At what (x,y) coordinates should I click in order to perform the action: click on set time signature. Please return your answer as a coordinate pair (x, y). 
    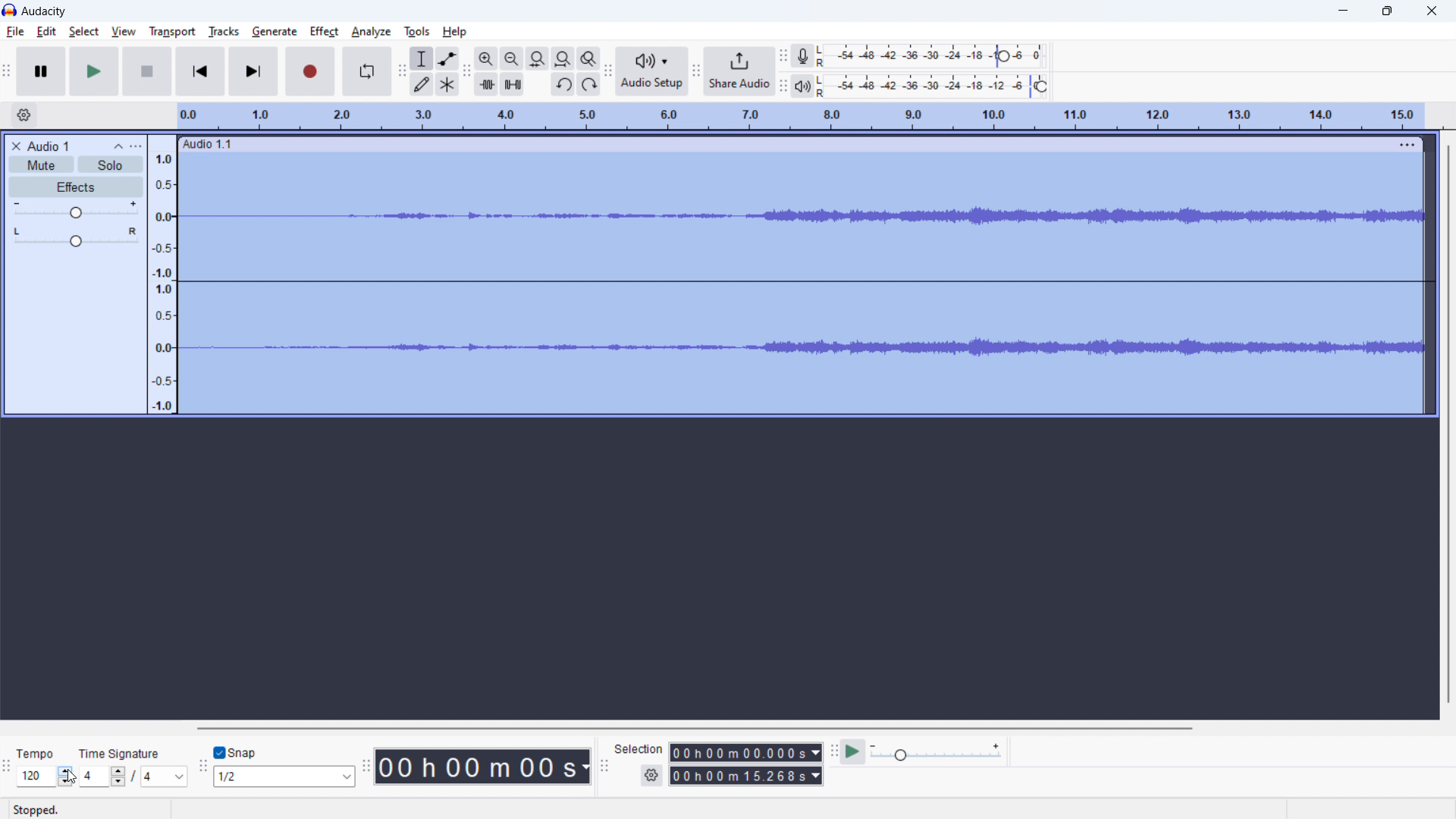
    Looking at the image, I should click on (132, 777).